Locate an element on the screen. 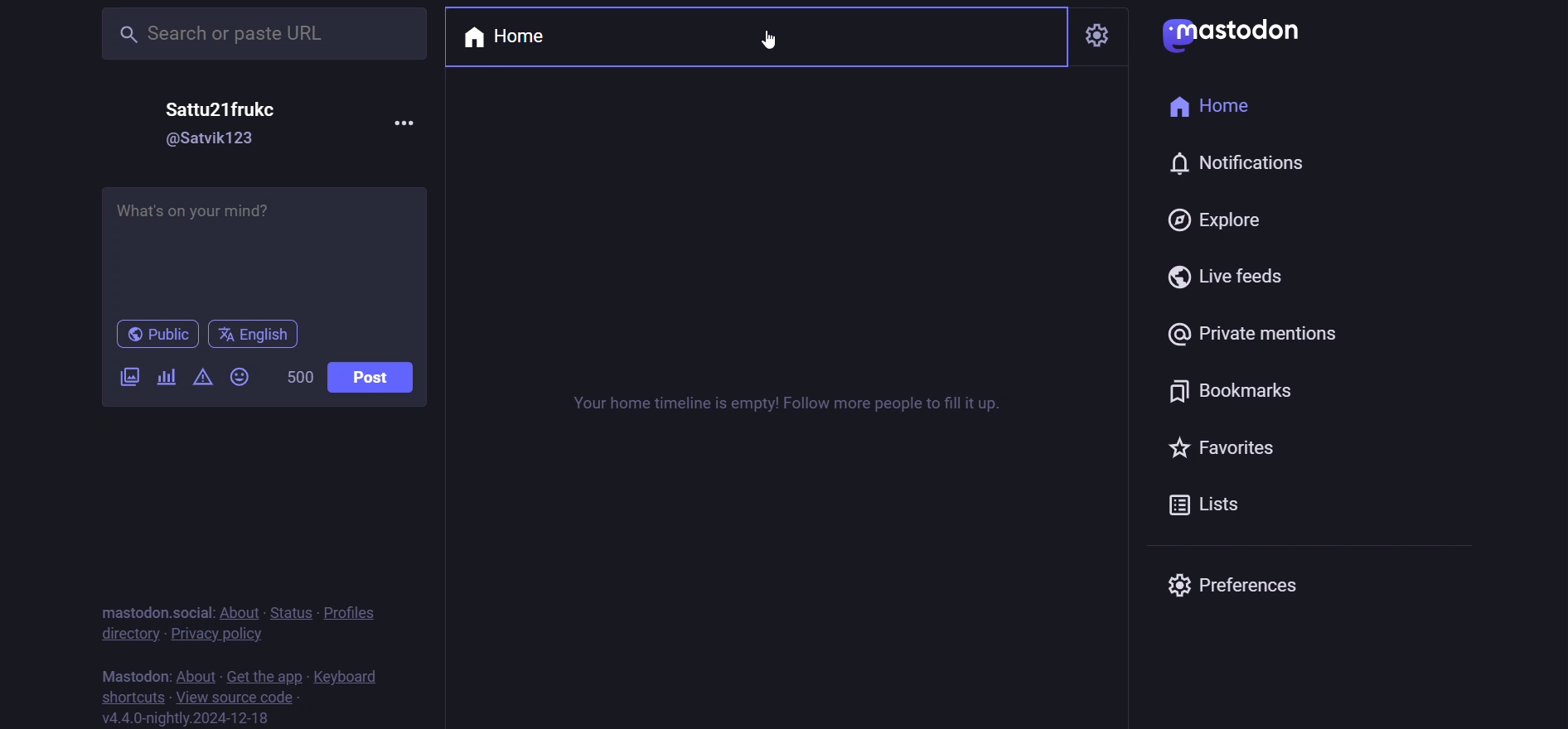 This screenshot has height=729, width=1568. post is located at coordinates (377, 375).